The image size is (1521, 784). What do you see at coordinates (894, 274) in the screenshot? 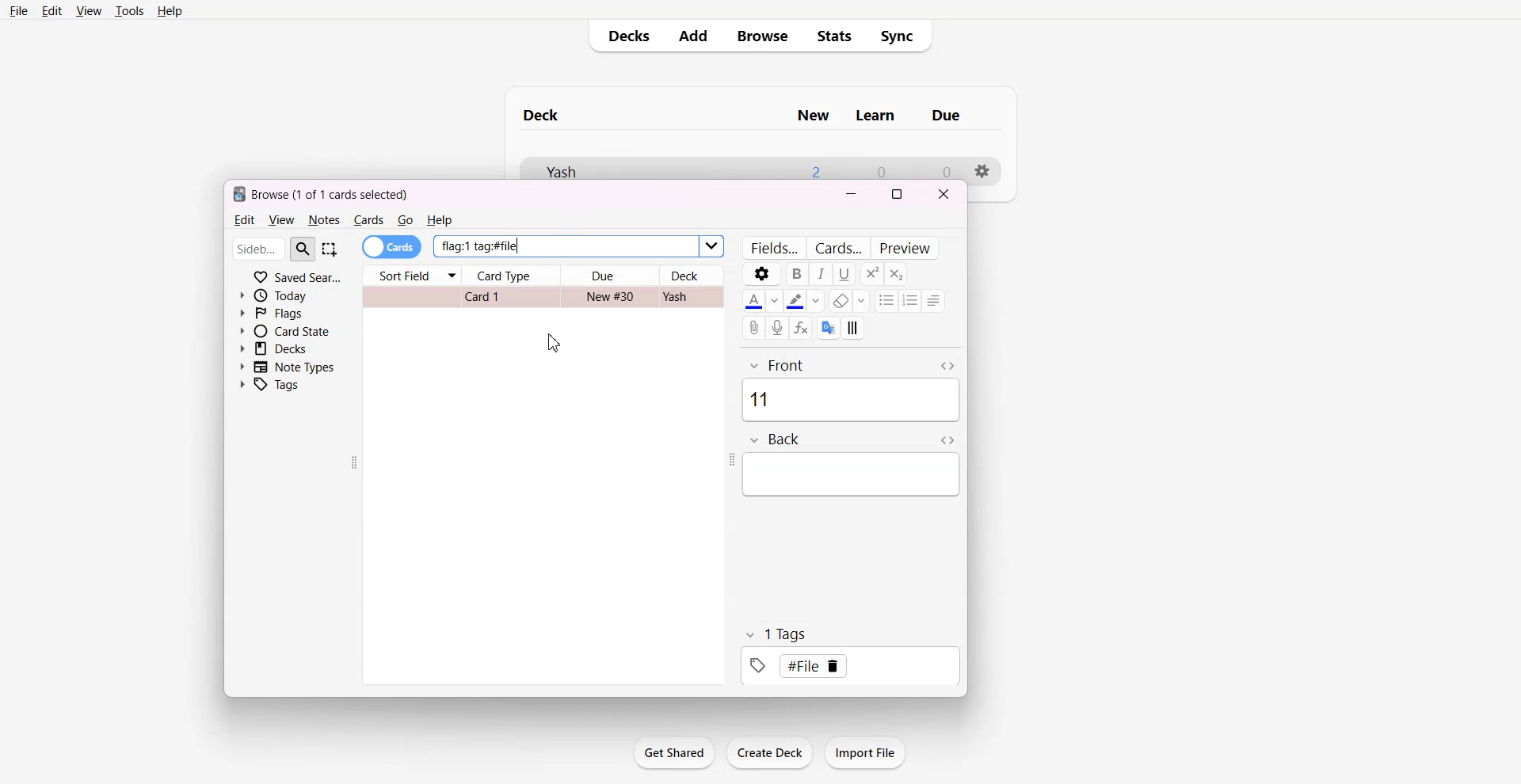
I see `Superscript` at bounding box center [894, 274].